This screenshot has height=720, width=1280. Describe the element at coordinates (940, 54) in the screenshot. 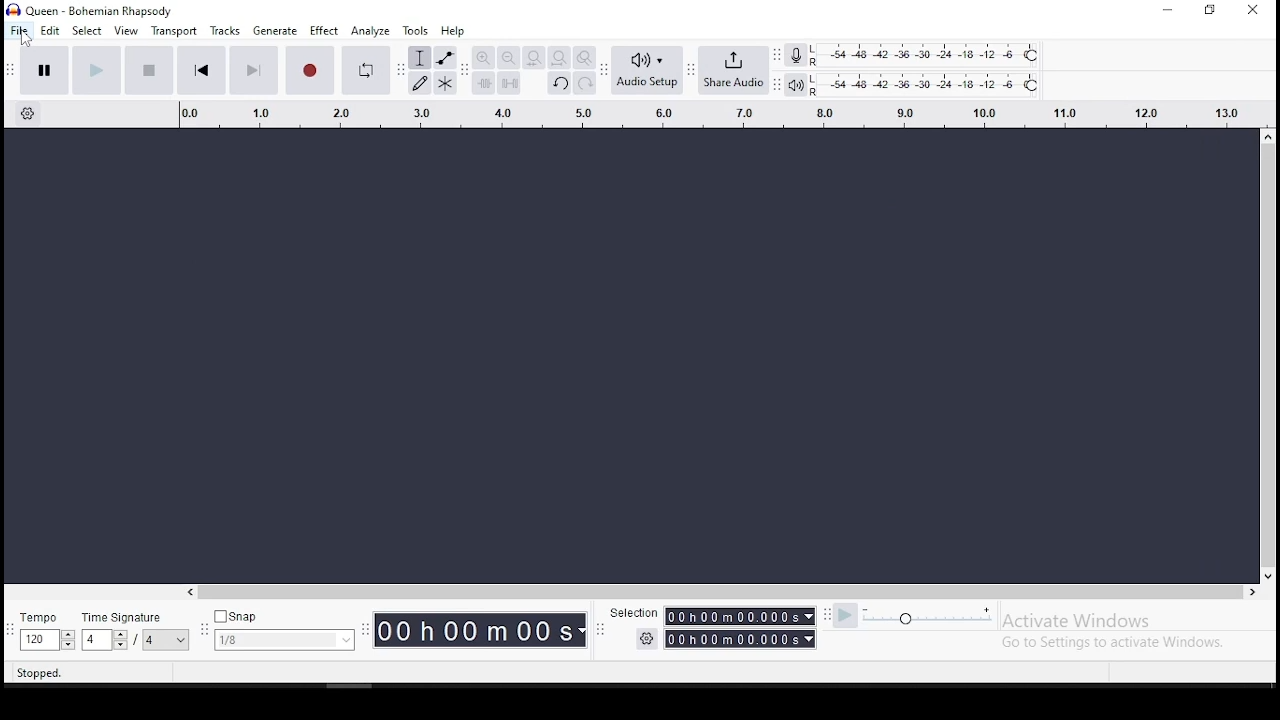

I see `recording level` at that location.